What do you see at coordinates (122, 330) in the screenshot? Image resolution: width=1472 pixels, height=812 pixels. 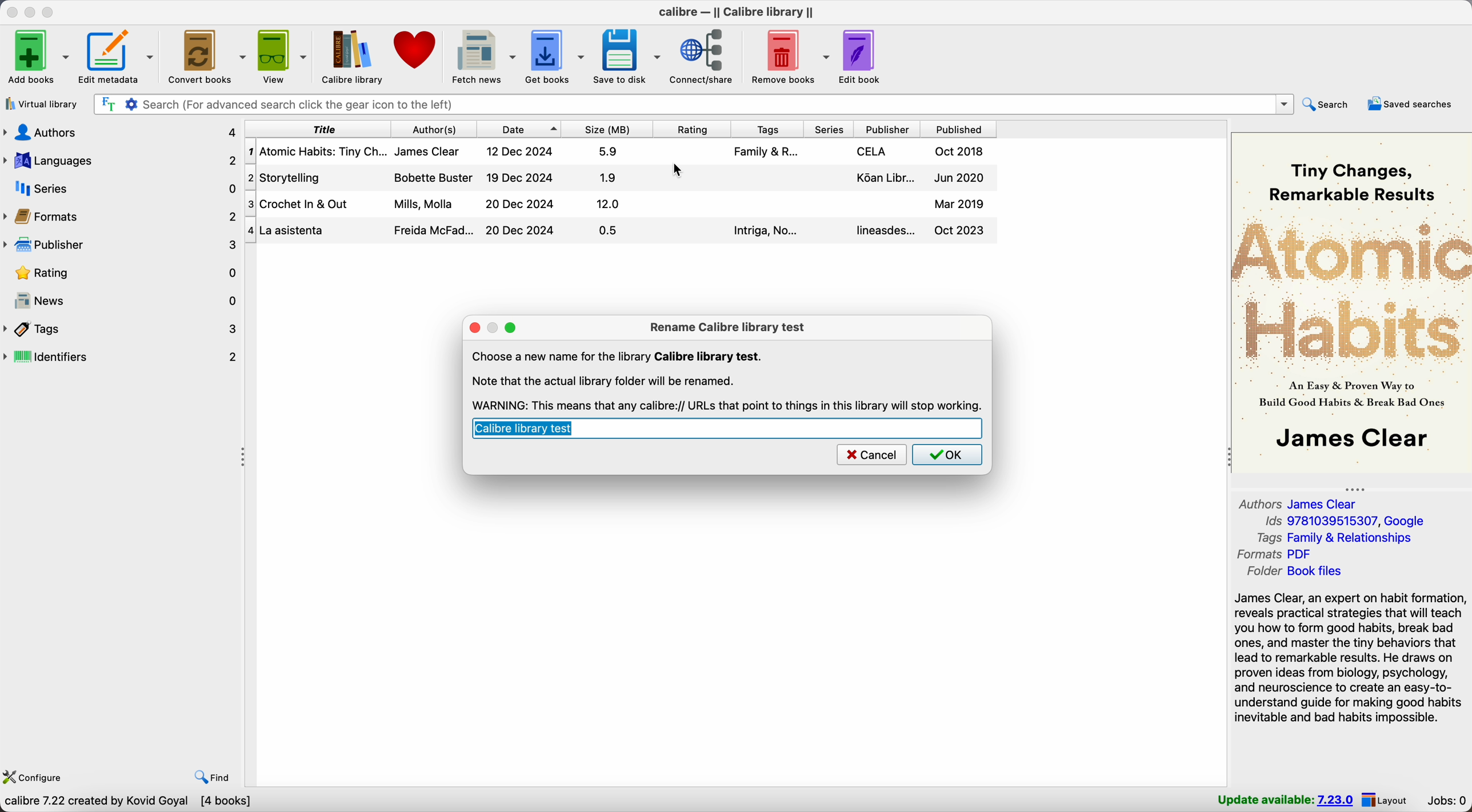 I see `tags` at bounding box center [122, 330].